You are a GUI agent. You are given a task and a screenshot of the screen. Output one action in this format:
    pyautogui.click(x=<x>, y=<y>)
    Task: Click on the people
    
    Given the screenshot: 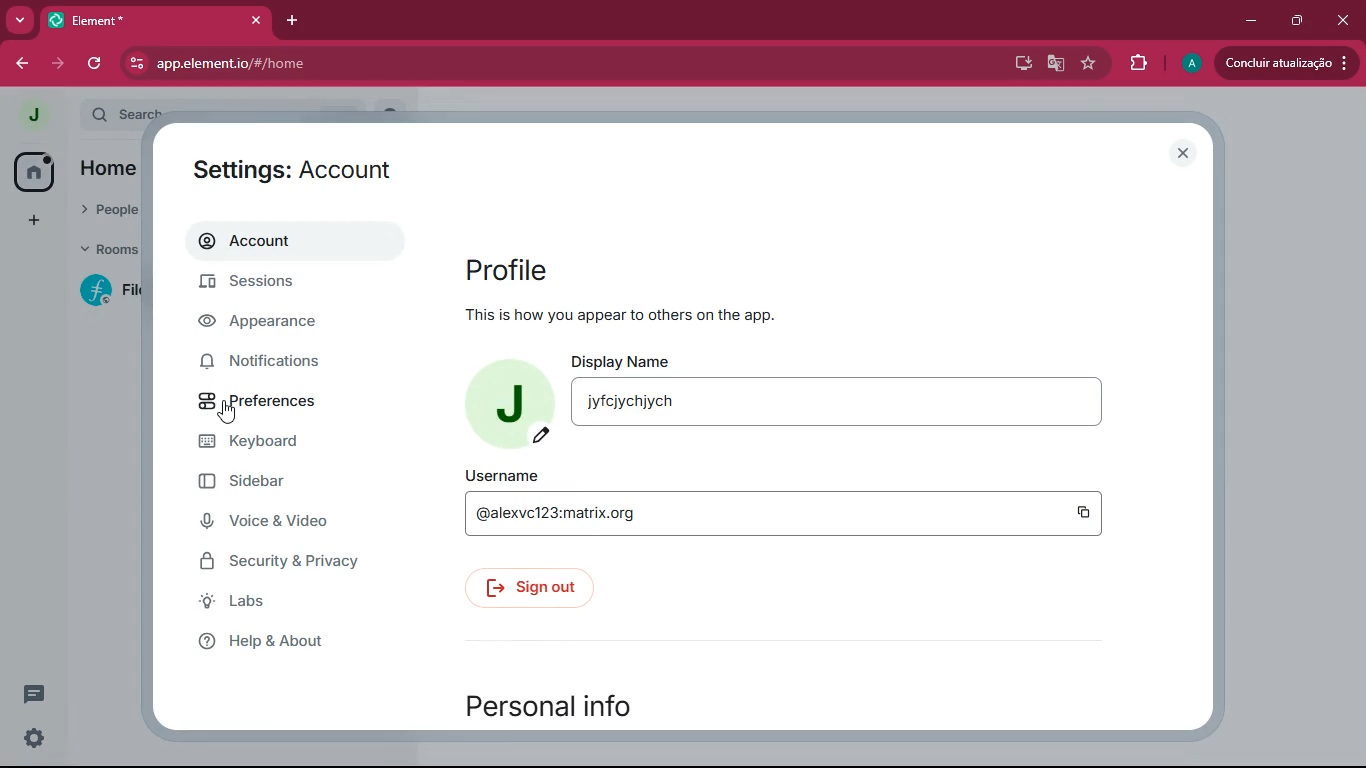 What is the action you would take?
    pyautogui.click(x=108, y=213)
    